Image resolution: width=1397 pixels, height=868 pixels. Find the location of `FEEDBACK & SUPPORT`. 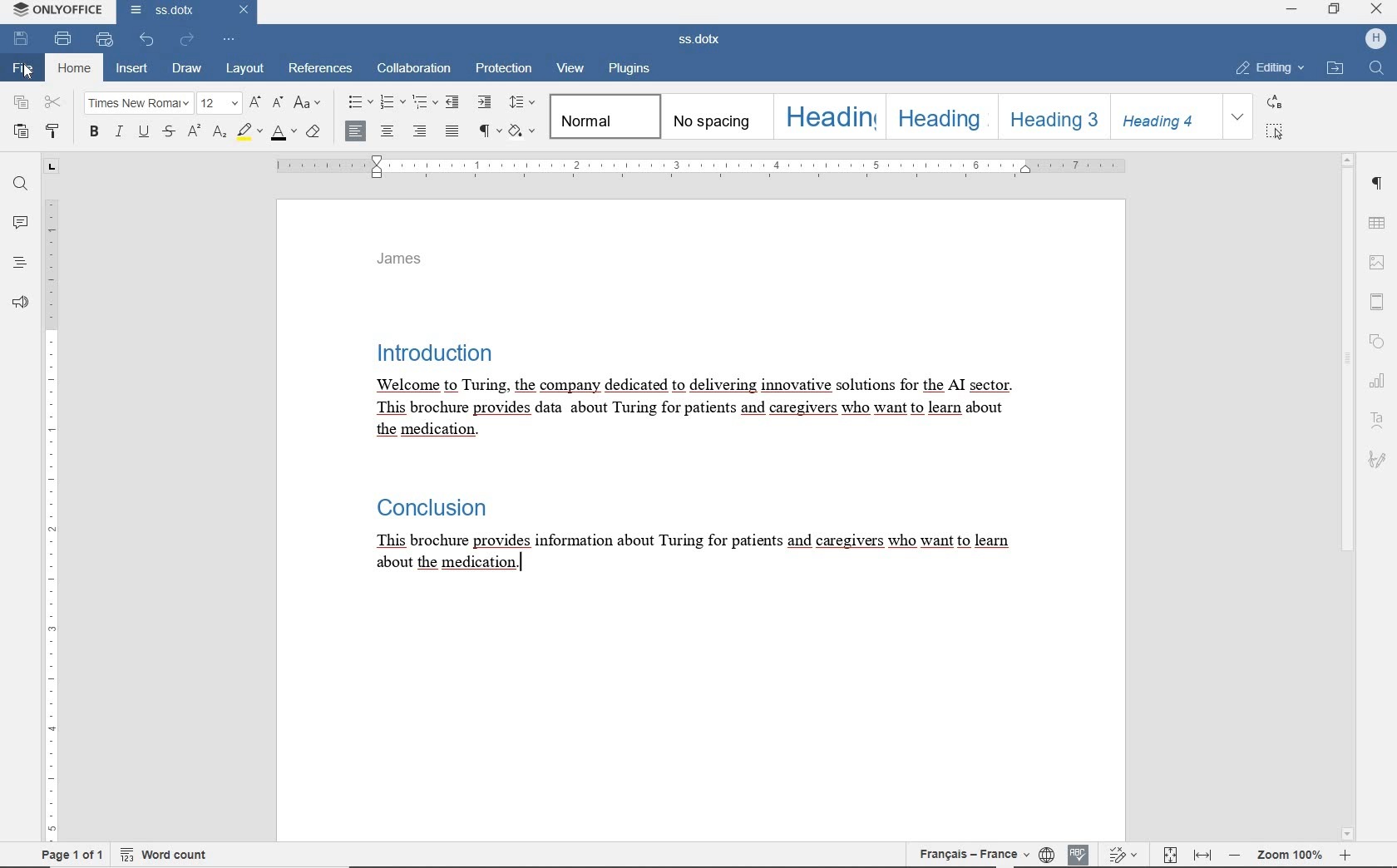

FEEDBACK & SUPPORT is located at coordinates (19, 303).